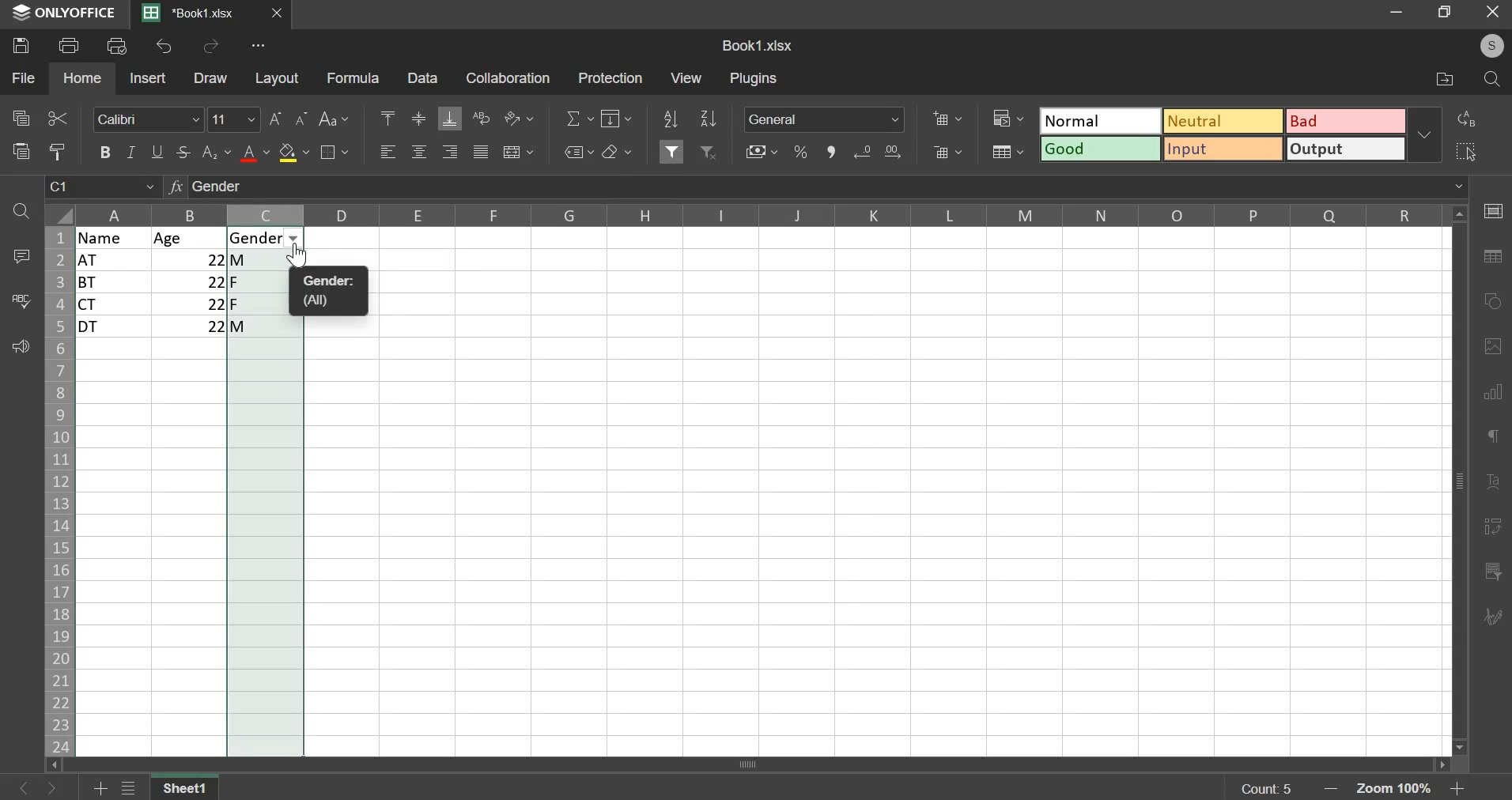 This screenshot has width=1512, height=800. What do you see at coordinates (419, 152) in the screenshot?
I see `align center` at bounding box center [419, 152].